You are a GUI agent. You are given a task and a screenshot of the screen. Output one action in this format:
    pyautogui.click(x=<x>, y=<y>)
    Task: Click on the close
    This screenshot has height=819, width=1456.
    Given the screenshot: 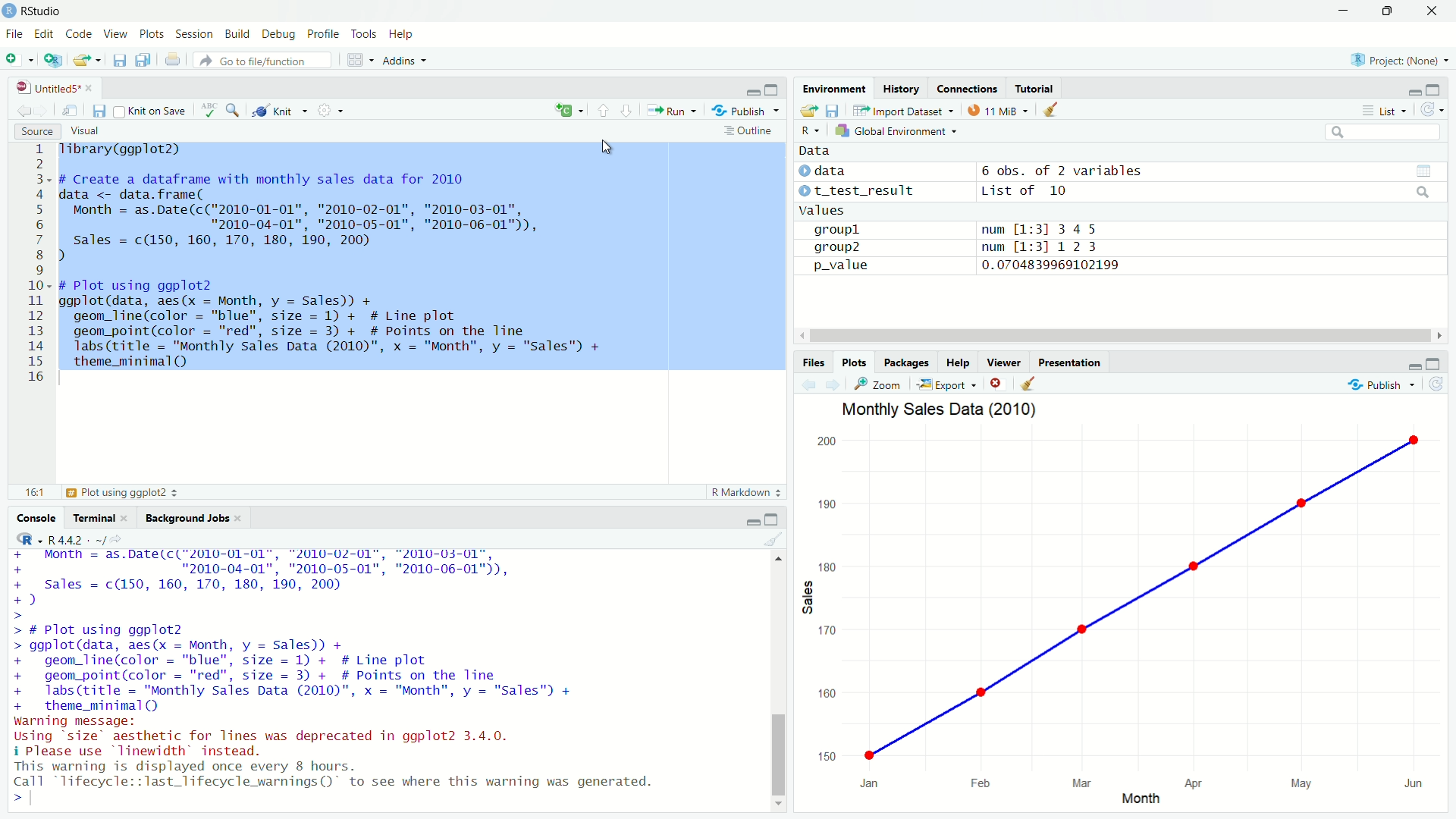 What is the action you would take?
    pyautogui.click(x=999, y=383)
    